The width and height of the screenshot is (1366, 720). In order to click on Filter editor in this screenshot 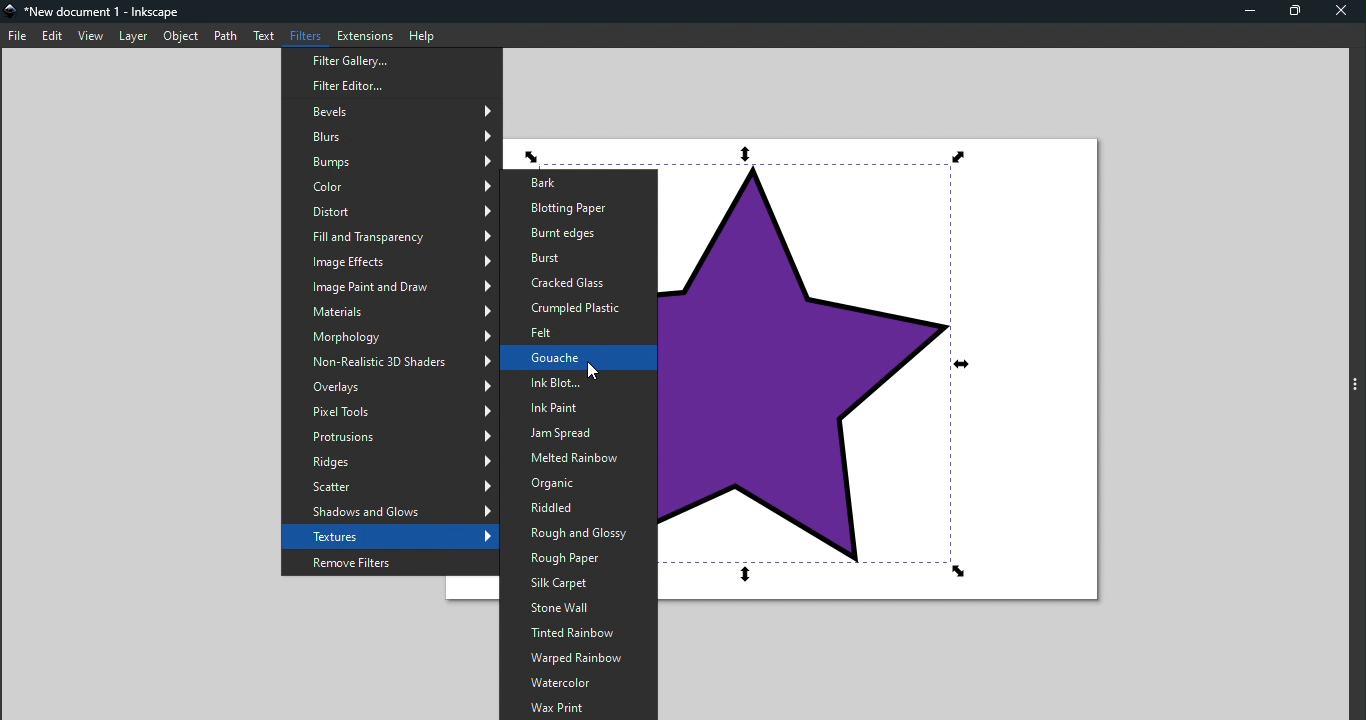, I will do `click(394, 84)`.